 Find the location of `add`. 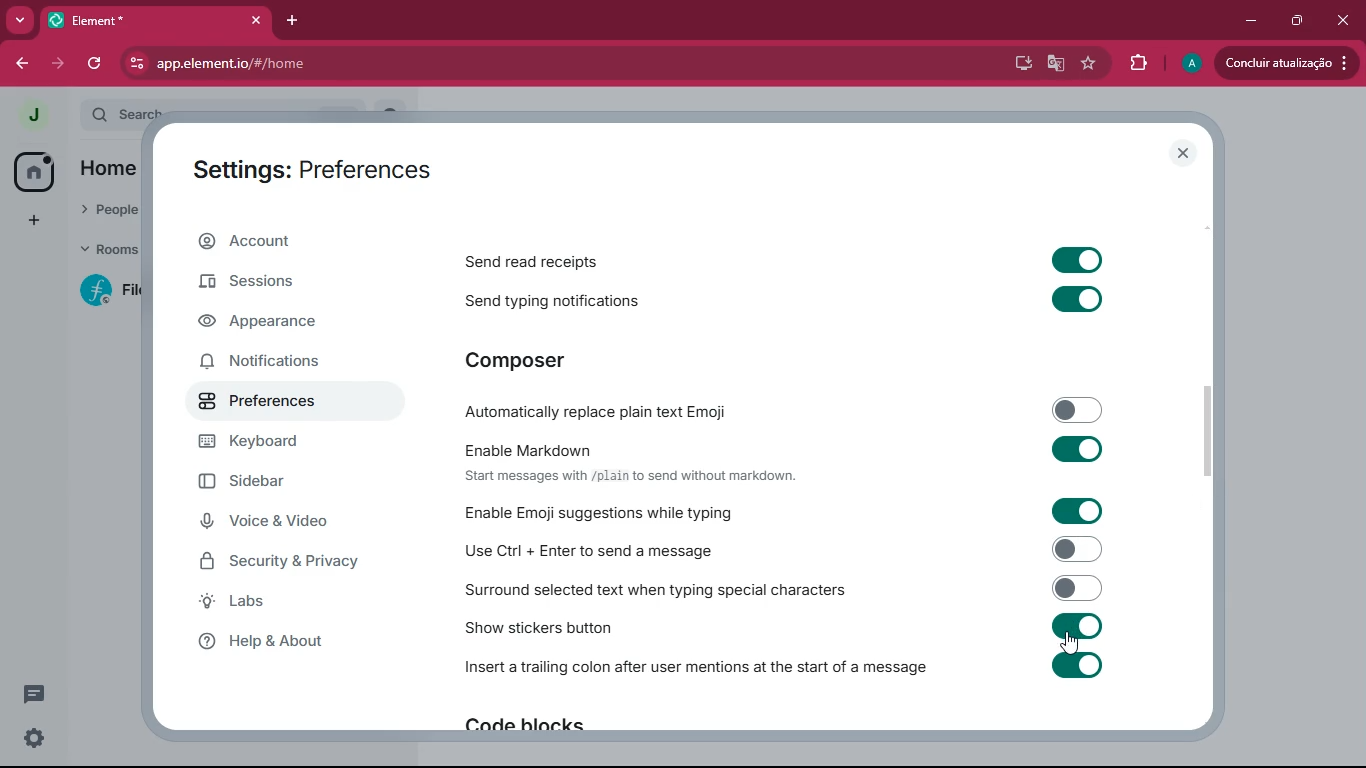

add is located at coordinates (31, 222).